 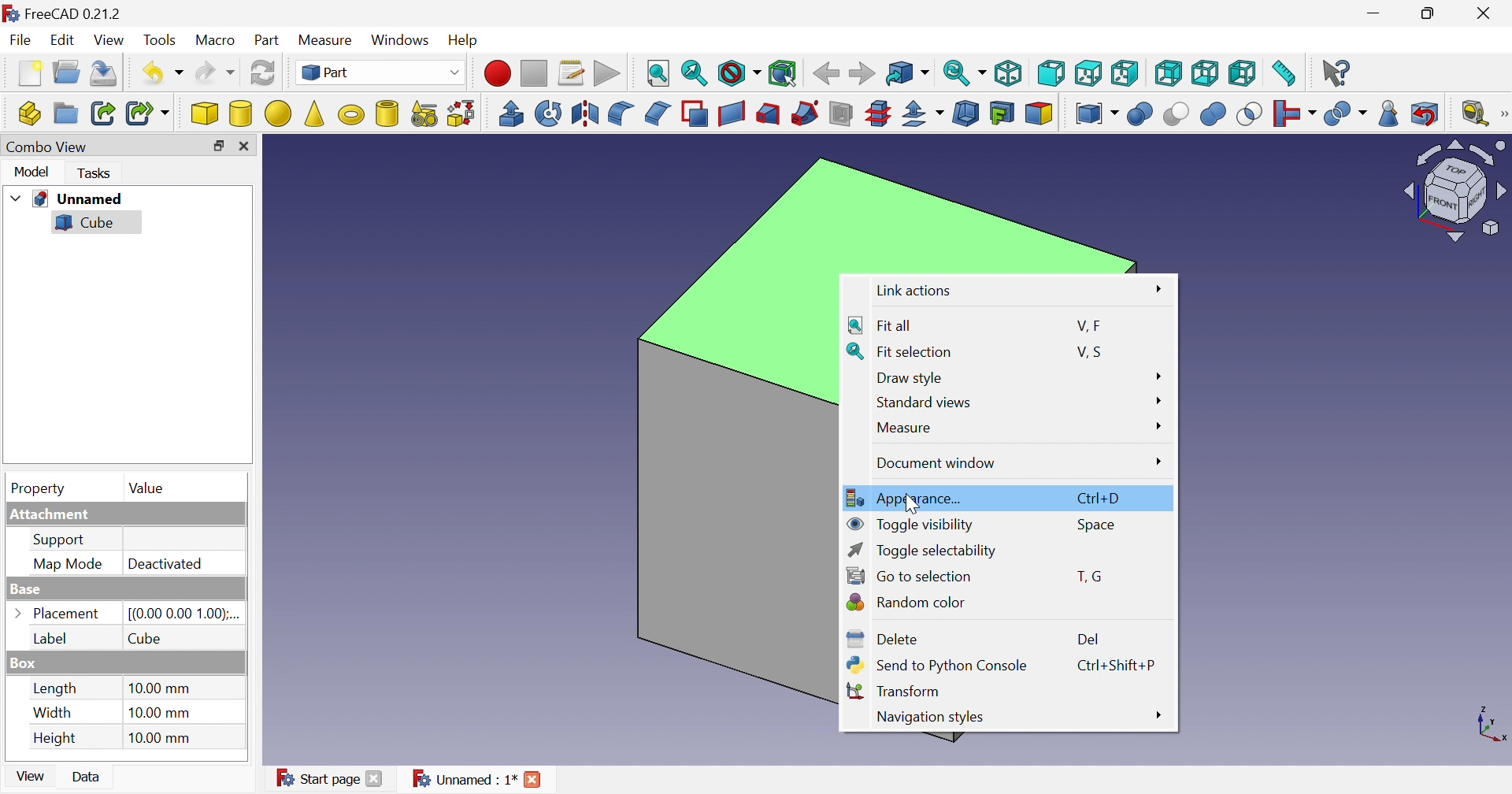 What do you see at coordinates (1488, 723) in the screenshot?
I see `Shape` at bounding box center [1488, 723].